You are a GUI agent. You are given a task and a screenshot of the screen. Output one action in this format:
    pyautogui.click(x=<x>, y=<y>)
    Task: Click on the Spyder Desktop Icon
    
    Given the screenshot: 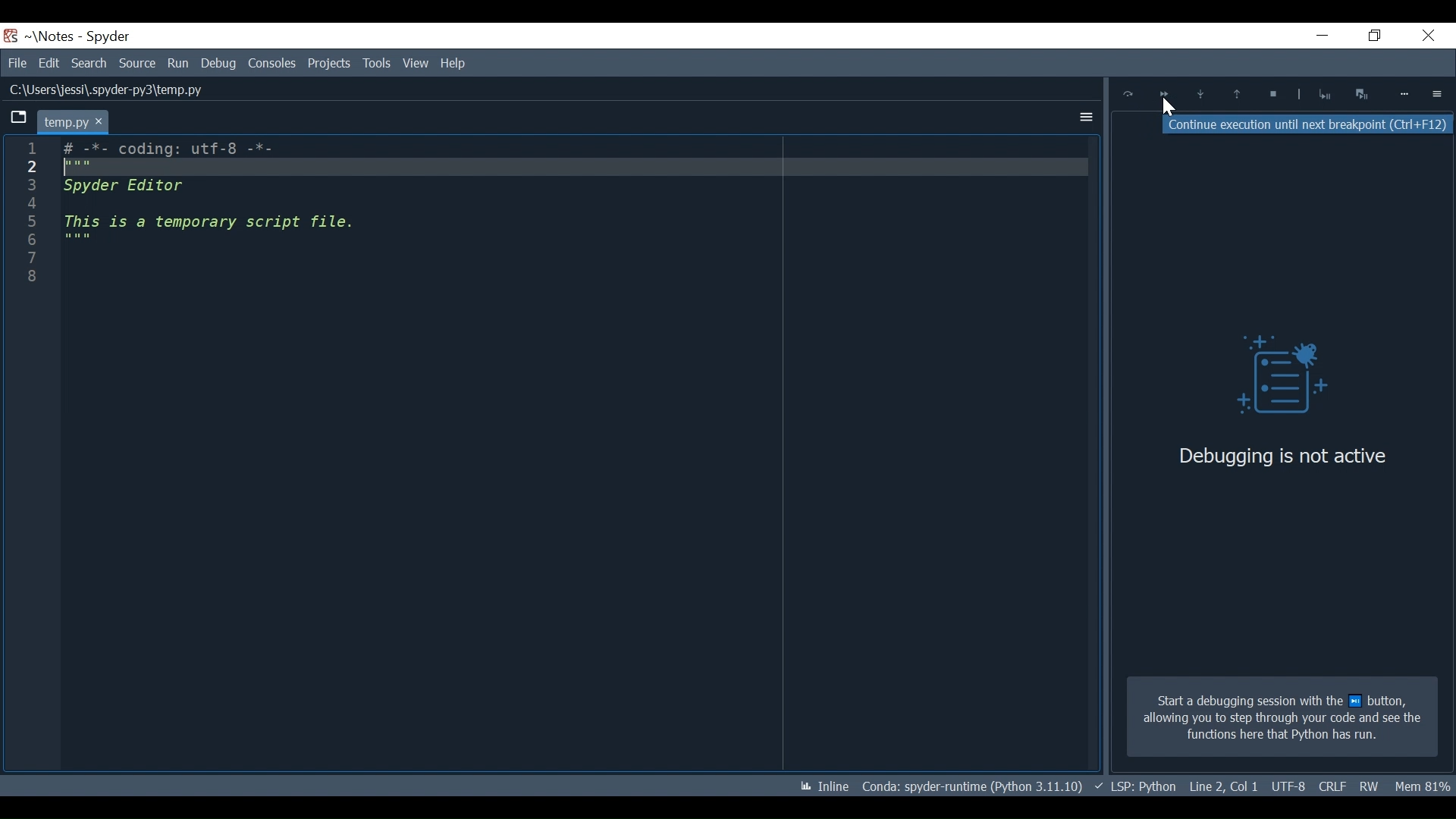 What is the action you would take?
    pyautogui.click(x=11, y=36)
    